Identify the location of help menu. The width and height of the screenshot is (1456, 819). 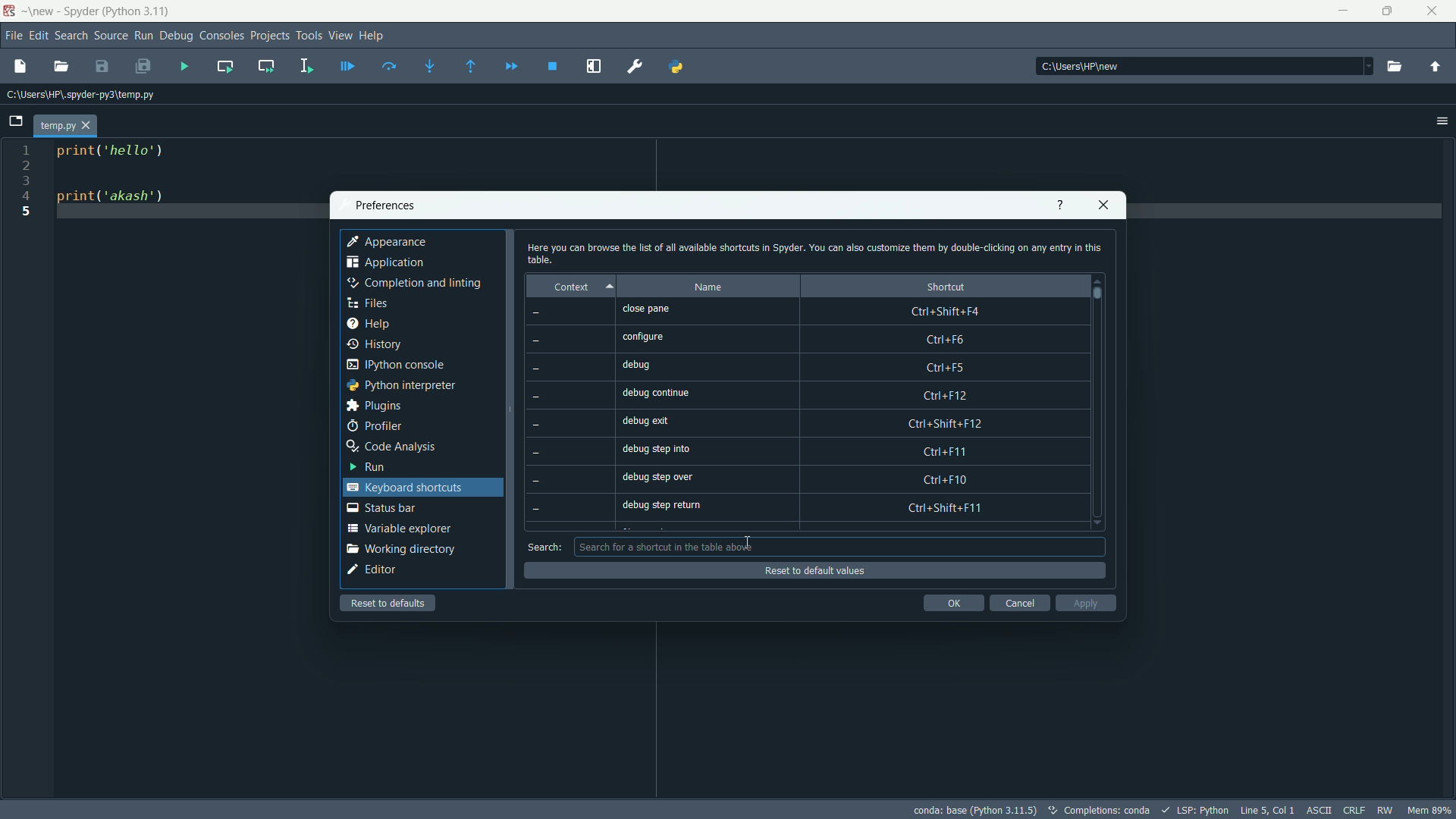
(375, 37).